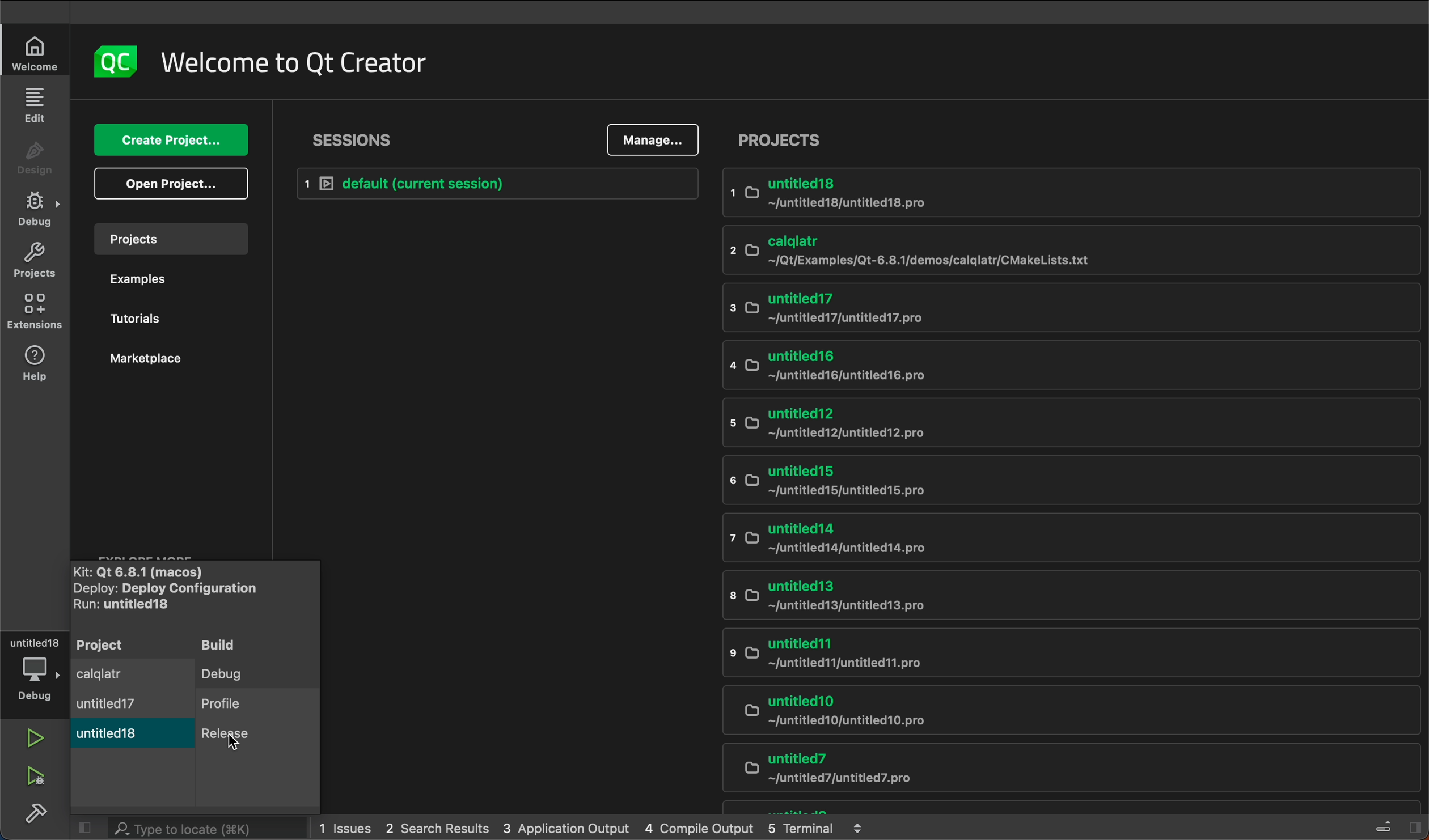  Describe the element at coordinates (163, 368) in the screenshot. I see `marketplace` at that location.